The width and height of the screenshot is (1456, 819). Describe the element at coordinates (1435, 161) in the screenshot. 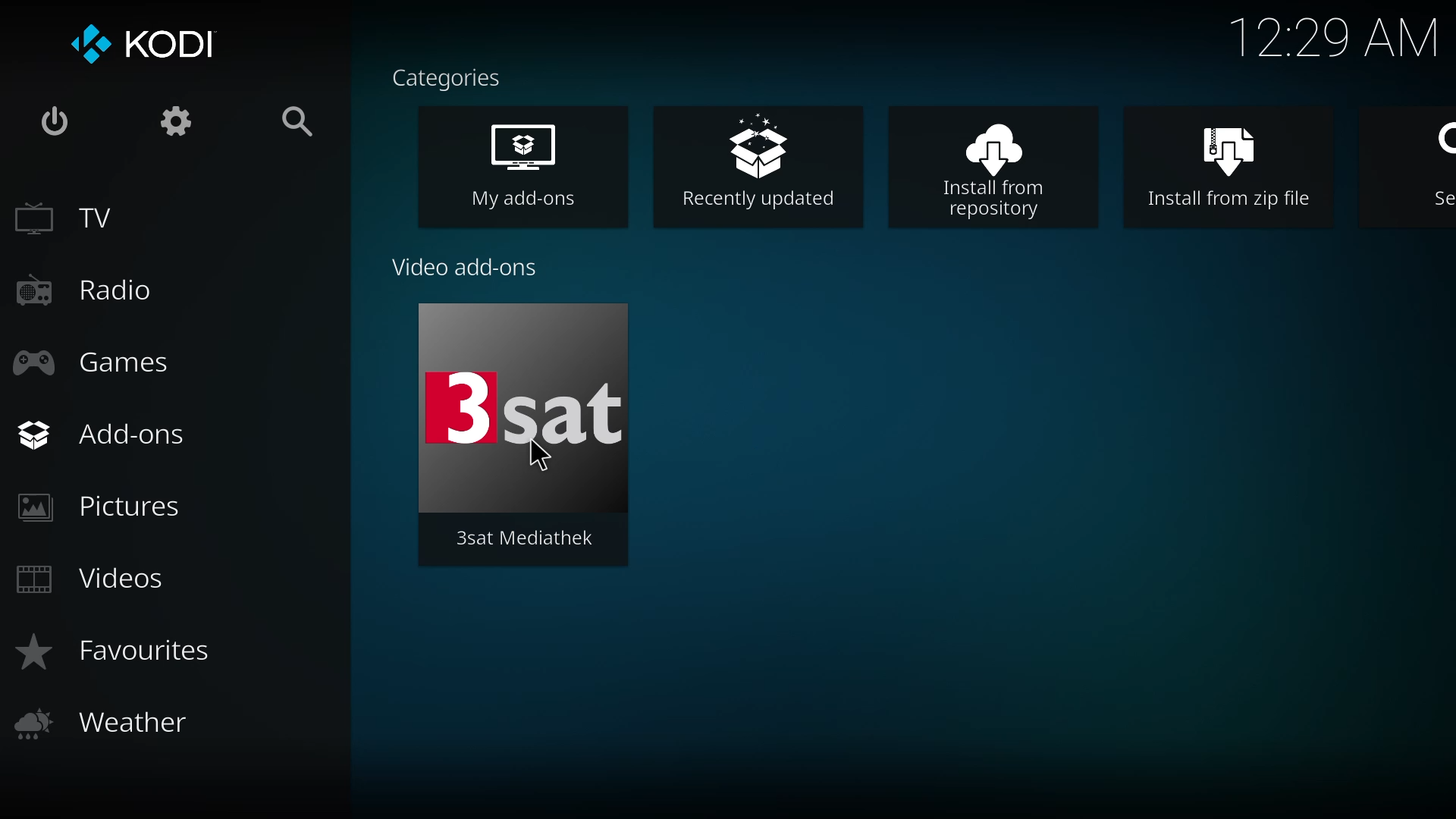

I see `Search` at that location.